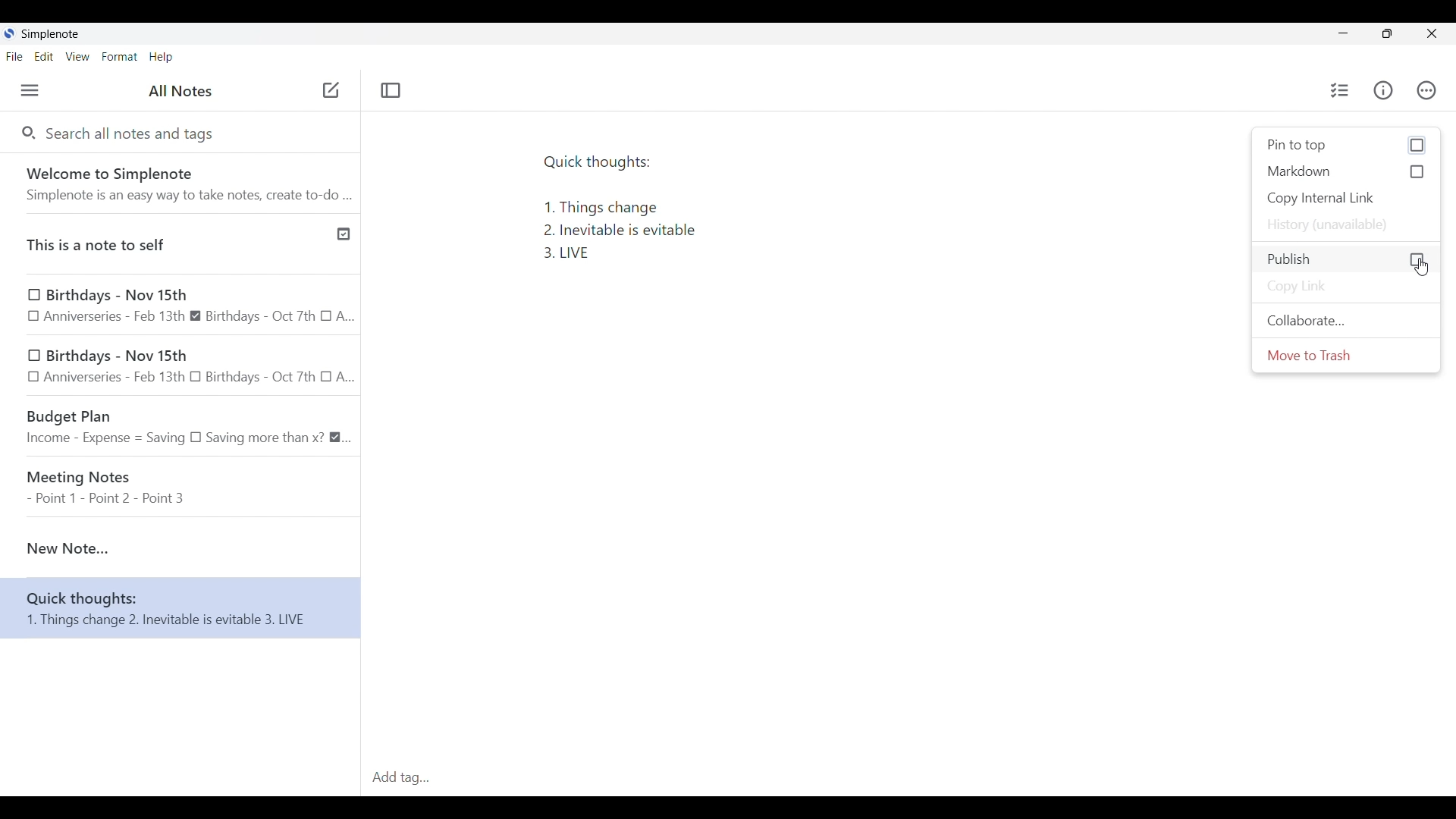 This screenshot has width=1456, height=819. Describe the element at coordinates (1420, 265) in the screenshot. I see `cursor` at that location.